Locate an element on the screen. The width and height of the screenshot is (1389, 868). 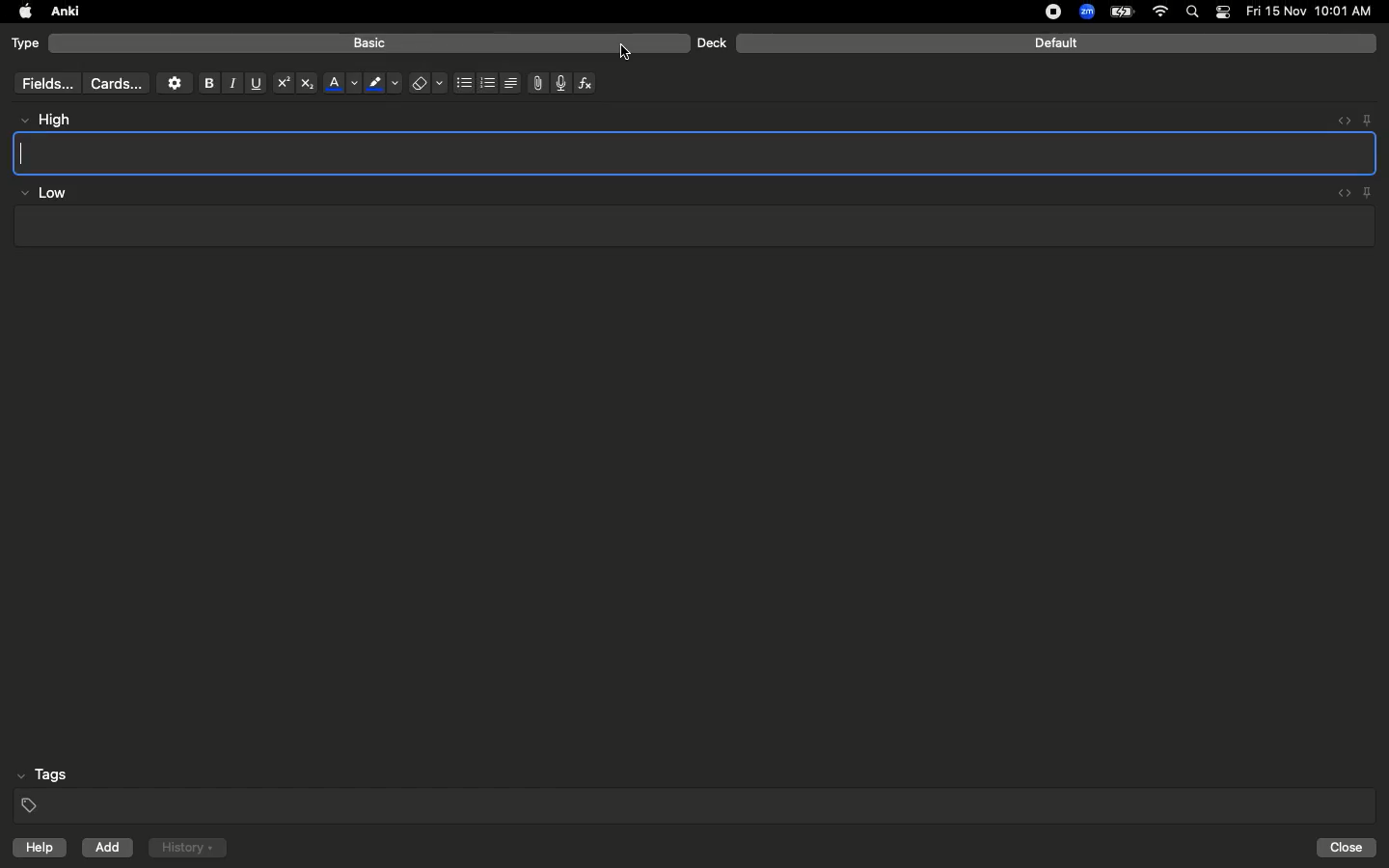
Italics is located at coordinates (230, 84).